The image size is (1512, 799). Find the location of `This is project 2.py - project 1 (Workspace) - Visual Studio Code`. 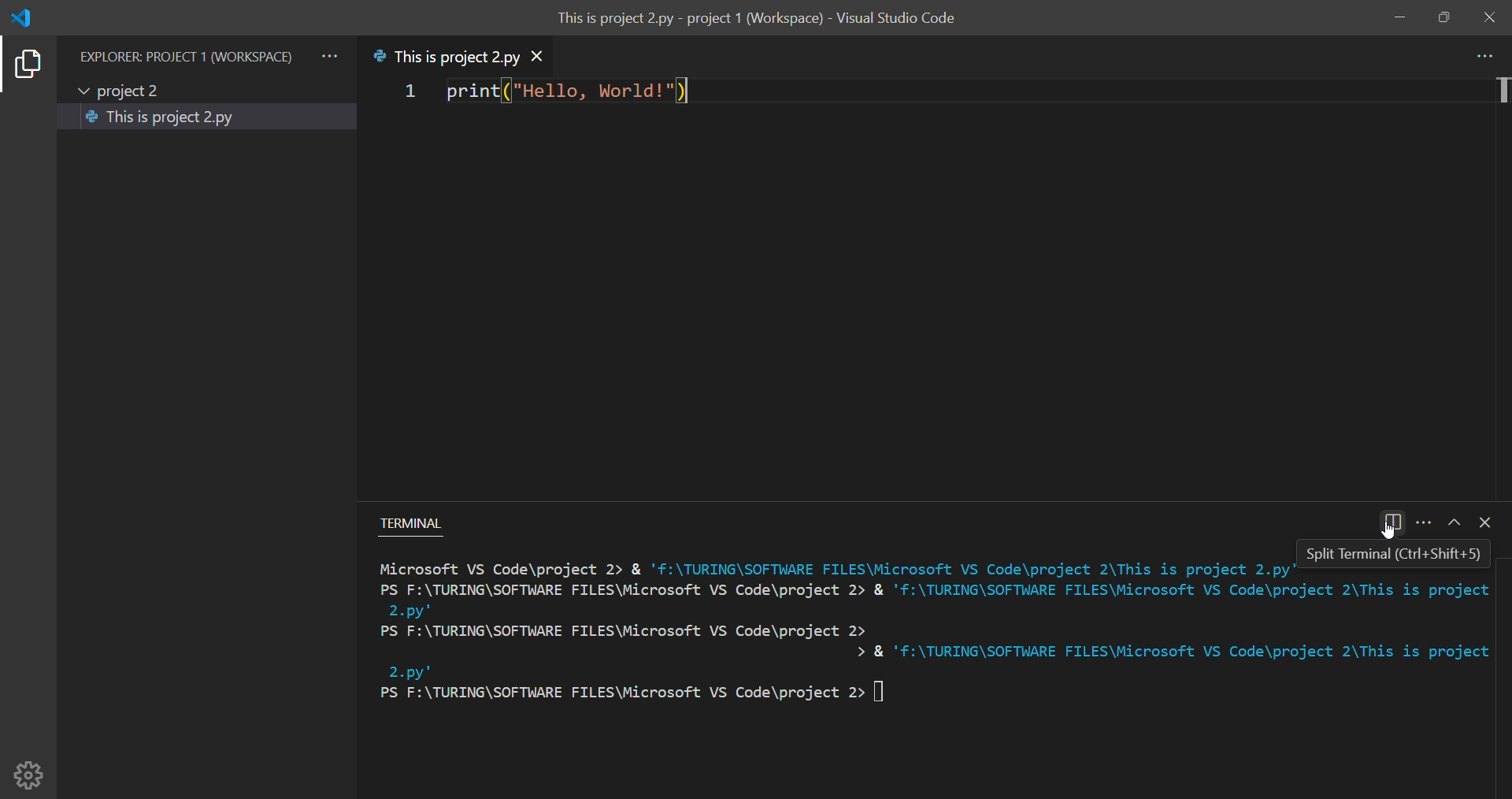

This is project 2.py - project 1 (Workspace) - Visual Studio Code is located at coordinates (764, 20).